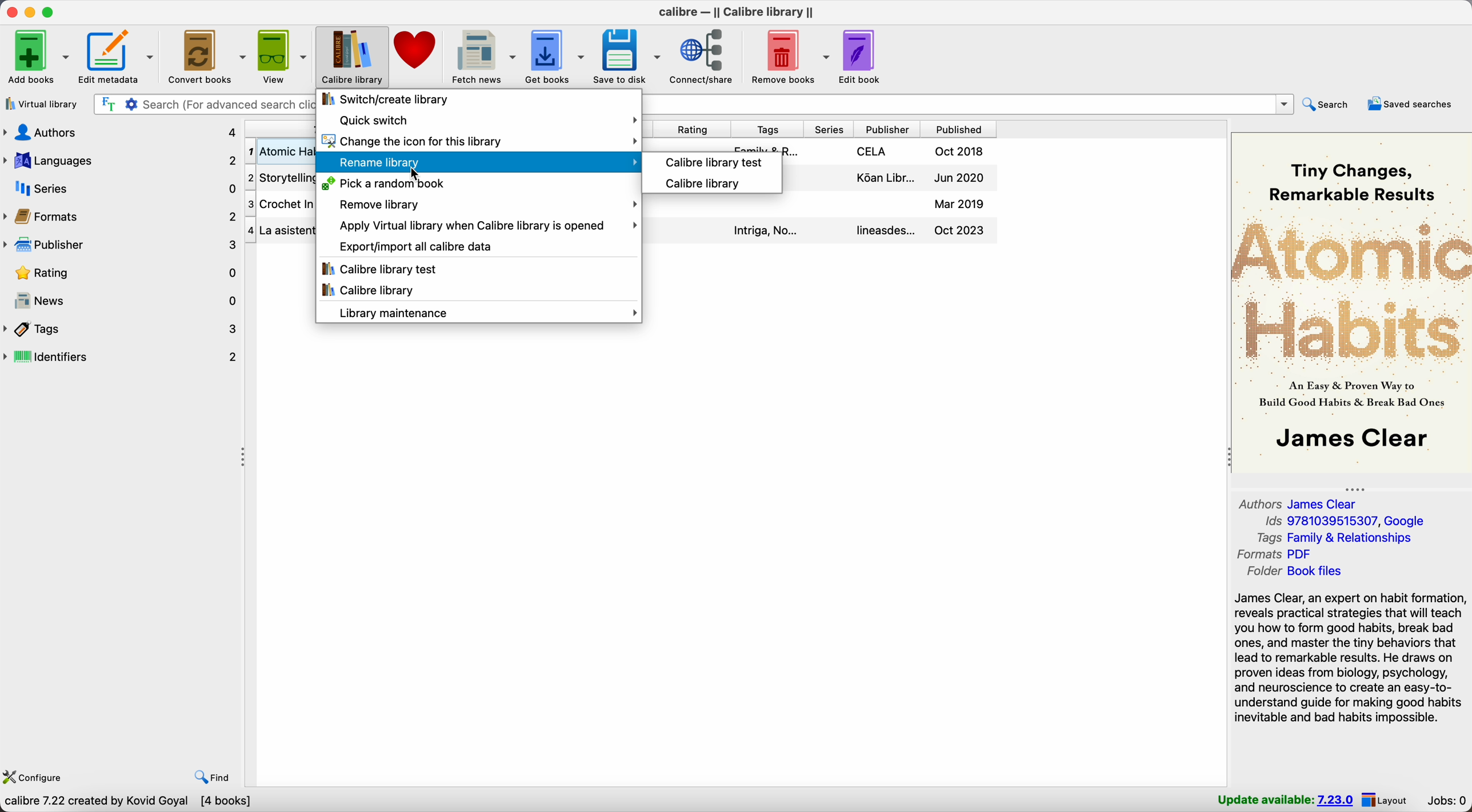 Image resolution: width=1472 pixels, height=812 pixels. Describe the element at coordinates (281, 178) in the screenshot. I see `Storytelling book` at that location.